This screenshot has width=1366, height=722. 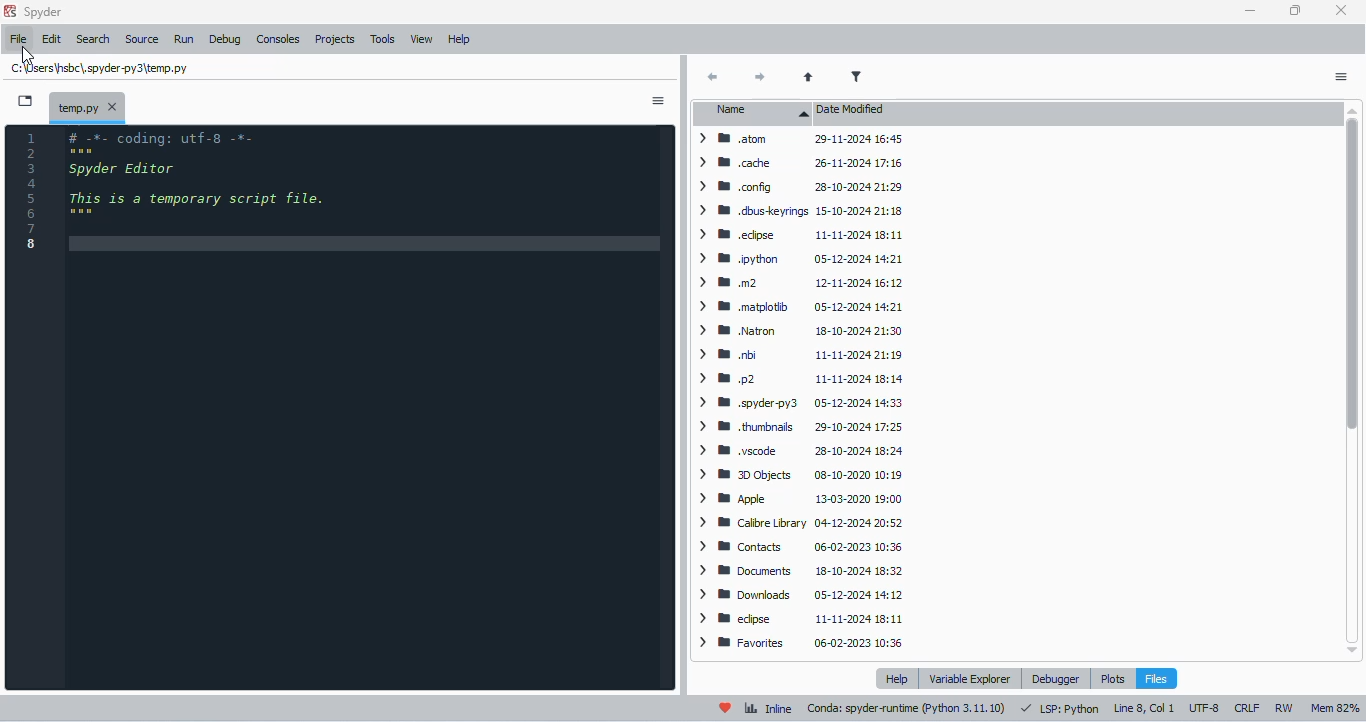 What do you see at coordinates (797, 307) in the screenshot?
I see `> BW matplotib 05-12-2024 14:21` at bounding box center [797, 307].